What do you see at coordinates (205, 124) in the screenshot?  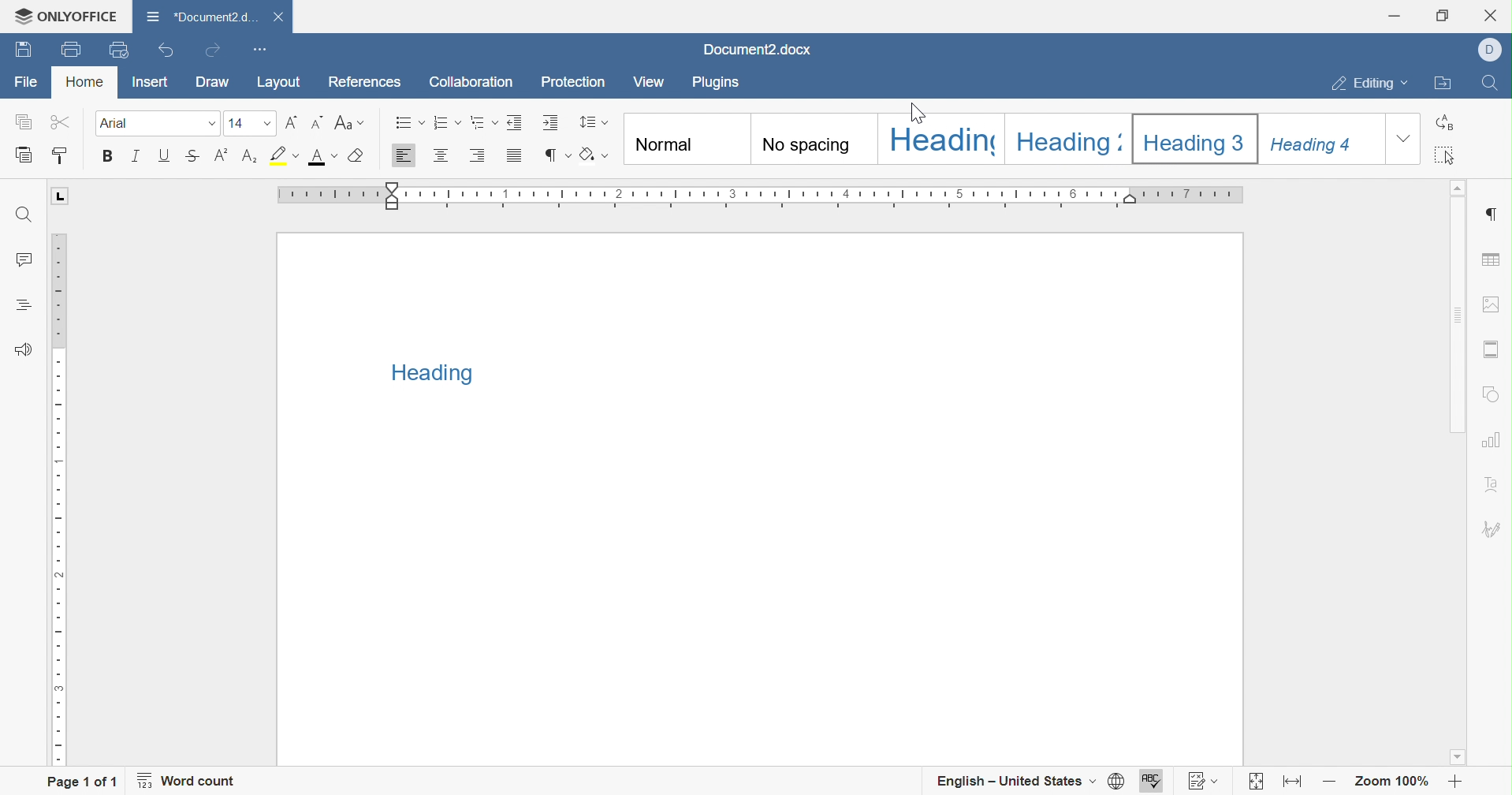 I see `Drop Down` at bounding box center [205, 124].